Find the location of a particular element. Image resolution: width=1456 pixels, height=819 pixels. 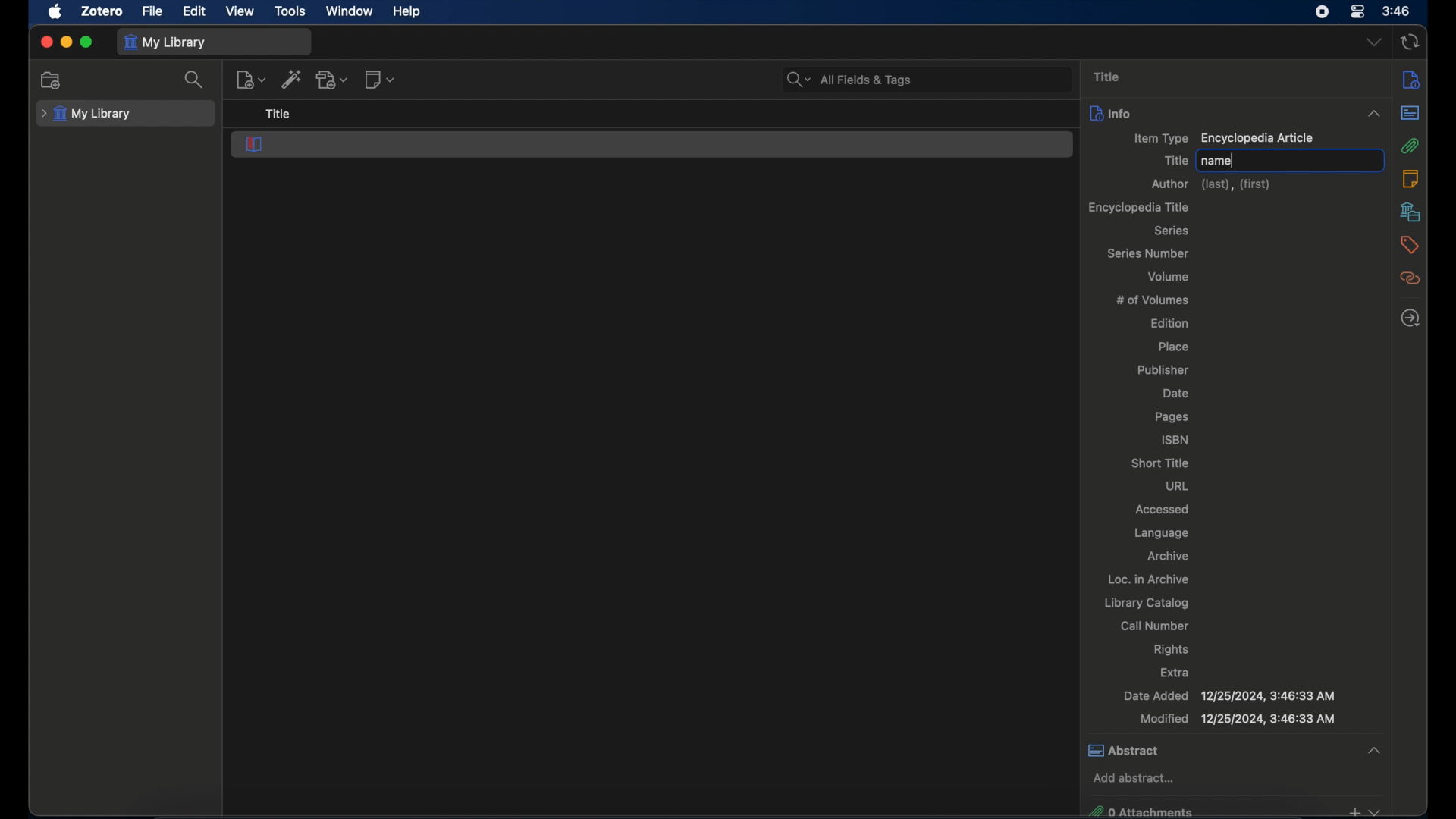

modified is located at coordinates (1238, 719).